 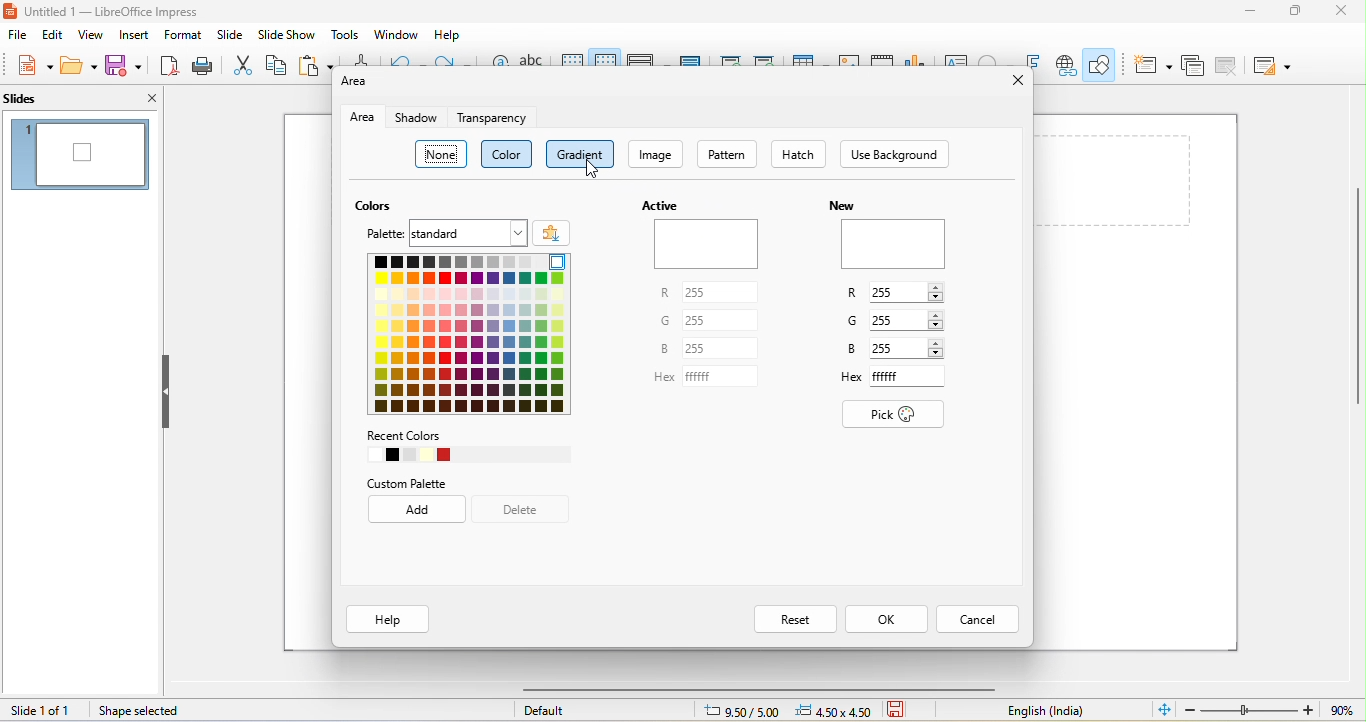 I want to click on new slide, so click(x=1152, y=65).